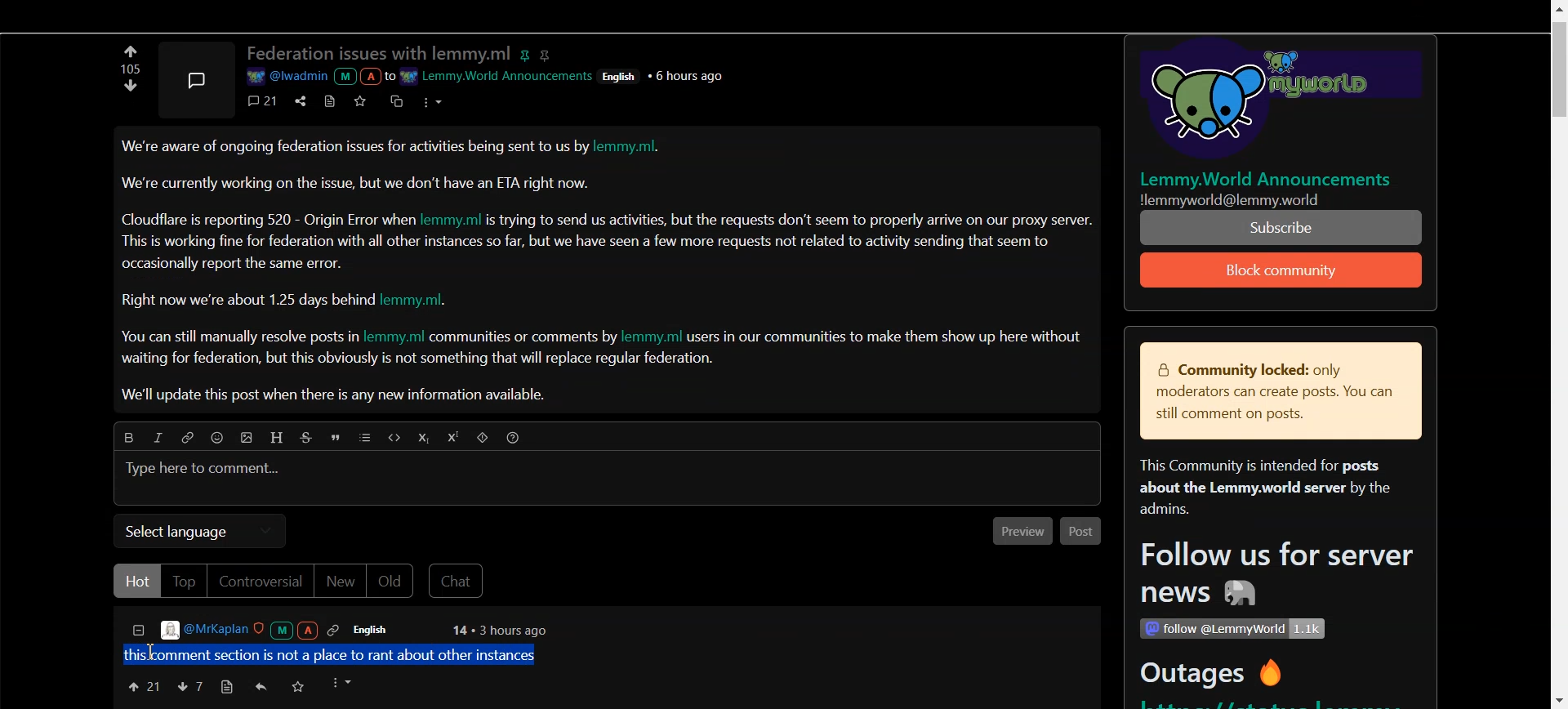  I want to click on lemmy.ml, so click(394, 337).